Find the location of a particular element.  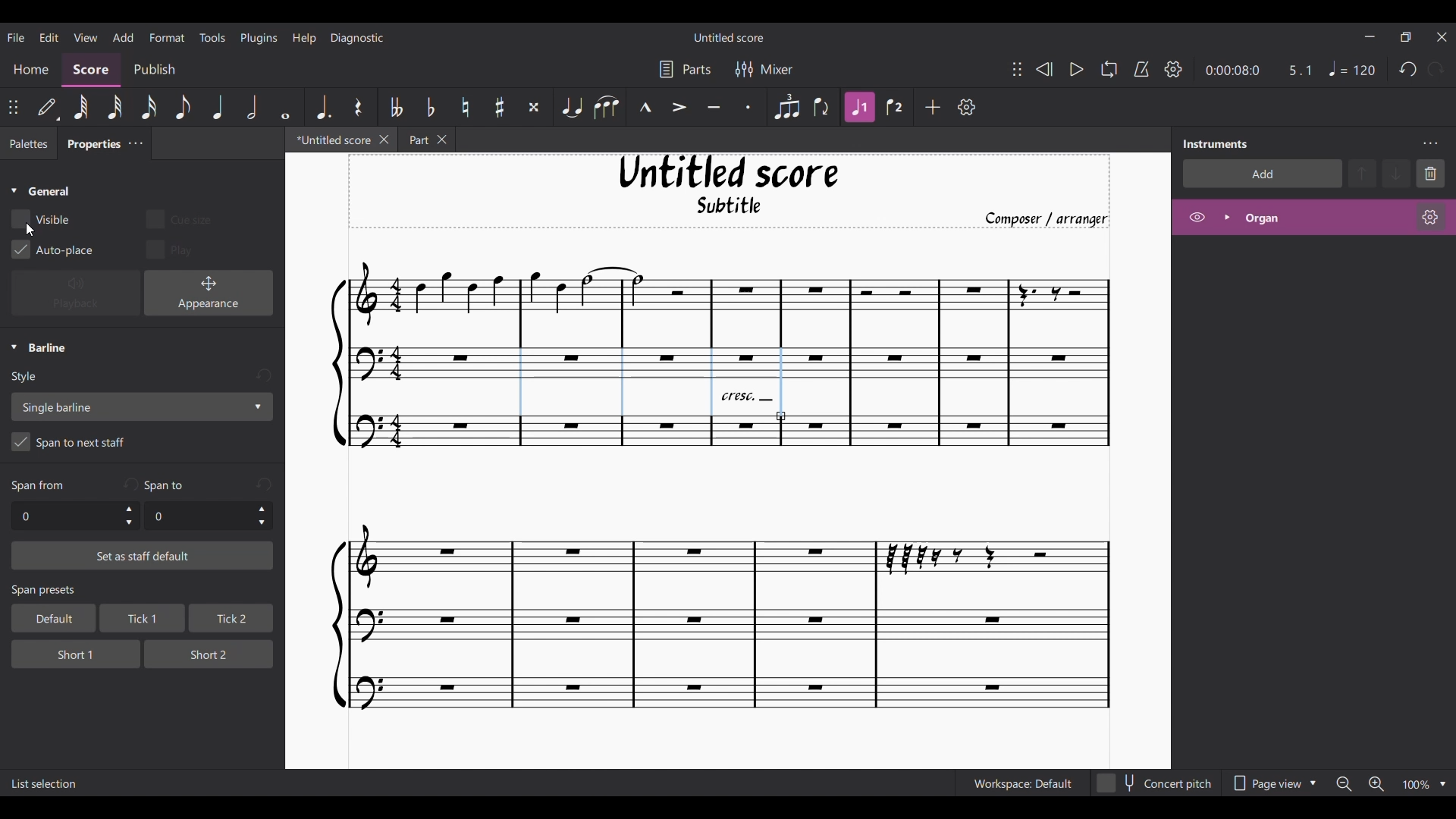

Change position of toolbar attached is located at coordinates (14, 107).